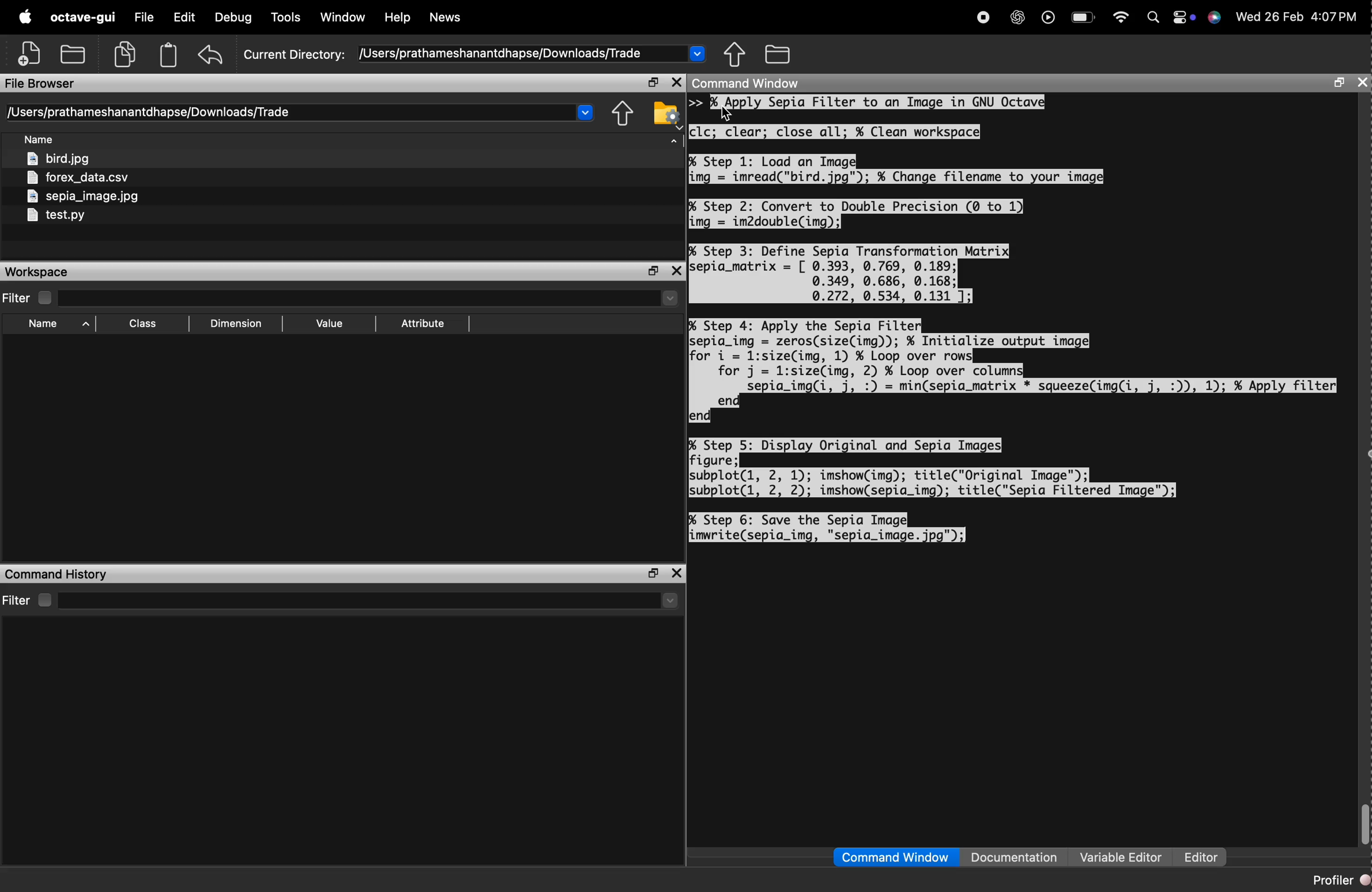 The width and height of the screenshot is (1372, 892). What do you see at coordinates (344, 16) in the screenshot?
I see `Window` at bounding box center [344, 16].